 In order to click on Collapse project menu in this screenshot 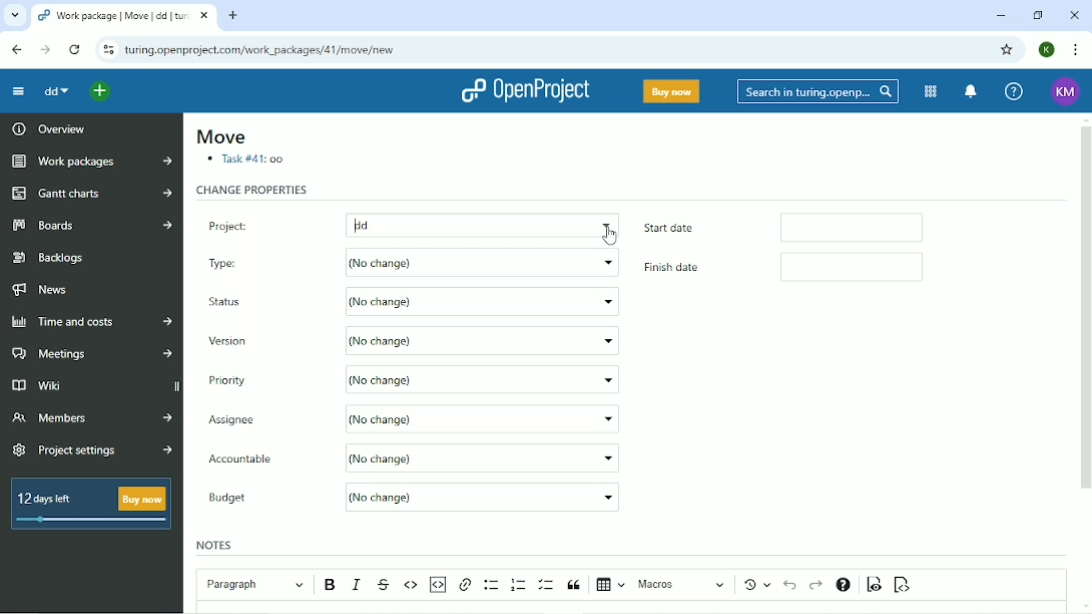, I will do `click(18, 91)`.